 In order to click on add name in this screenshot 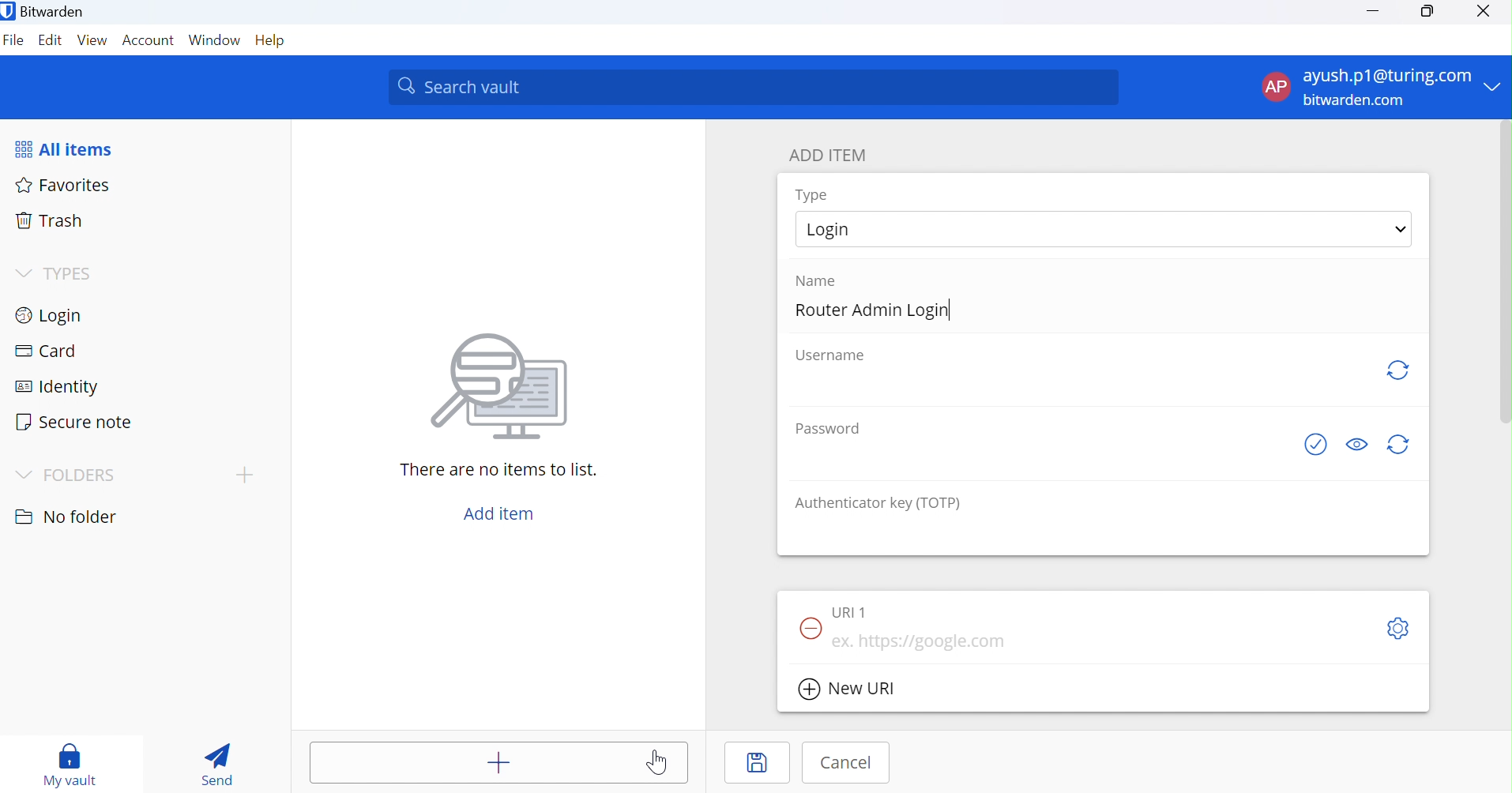, I will do `click(1102, 312)`.